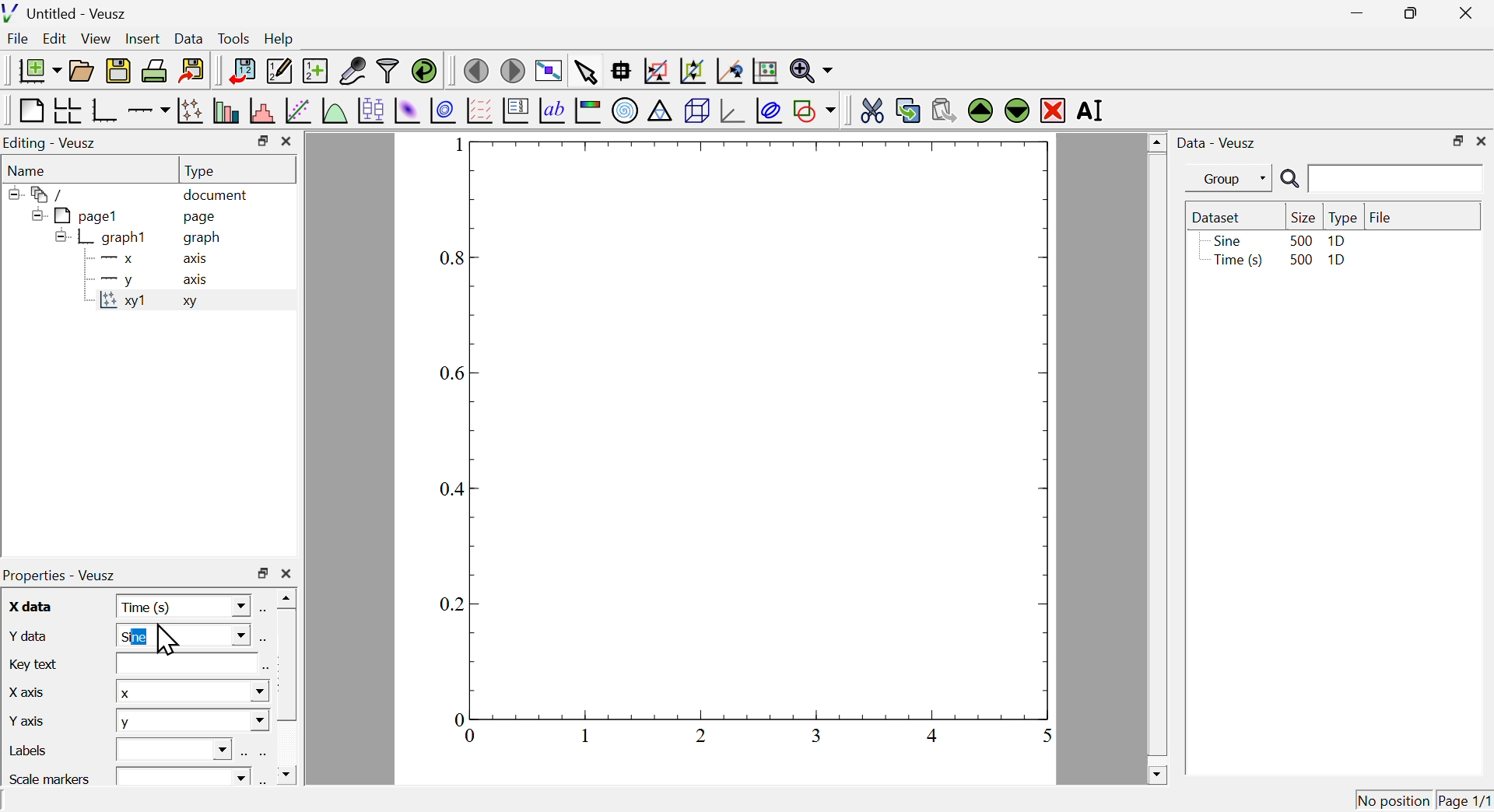  What do you see at coordinates (217, 196) in the screenshot?
I see `document` at bounding box center [217, 196].